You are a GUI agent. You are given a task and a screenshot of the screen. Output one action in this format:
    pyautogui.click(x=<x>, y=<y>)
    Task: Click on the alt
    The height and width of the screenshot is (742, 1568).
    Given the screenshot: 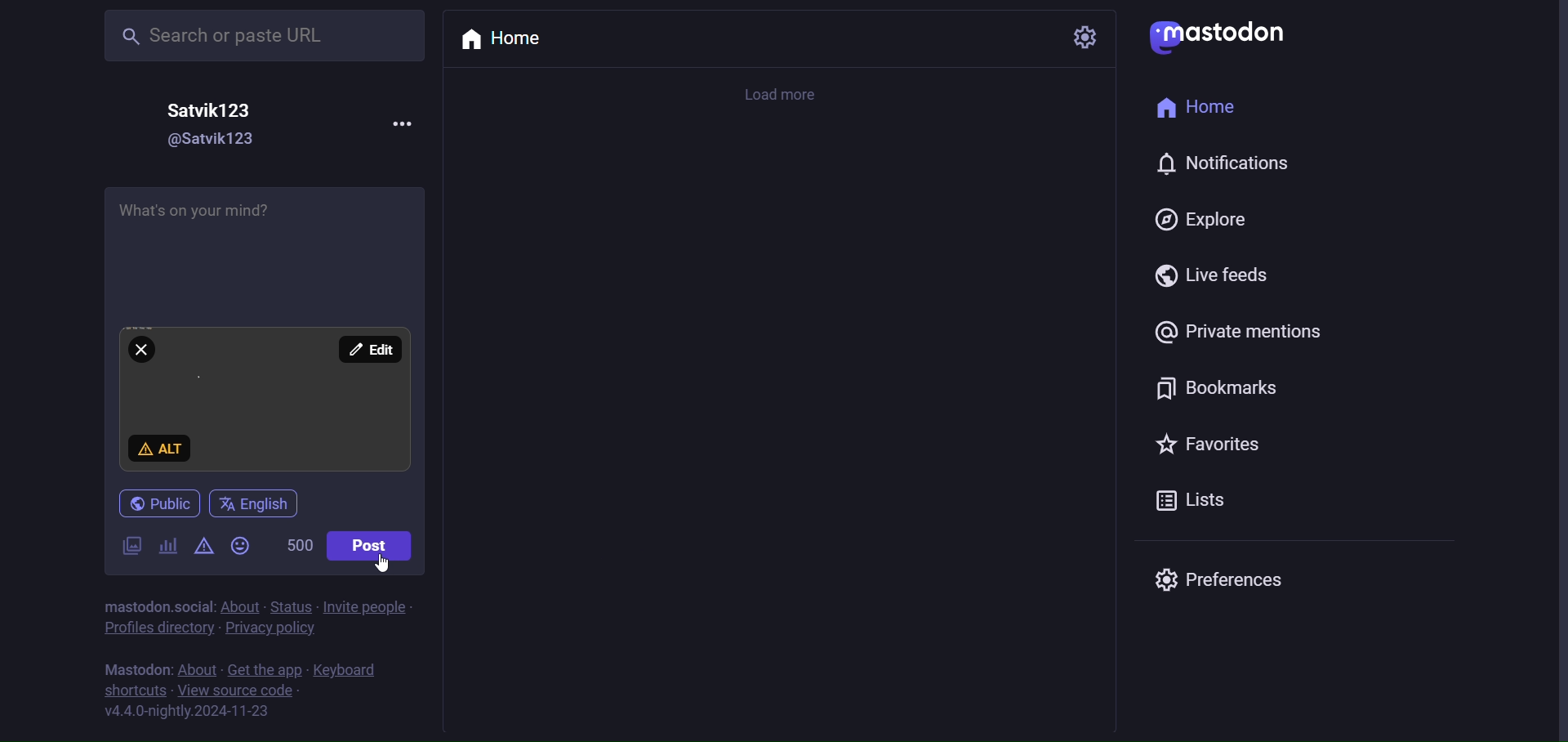 What is the action you would take?
    pyautogui.click(x=160, y=448)
    